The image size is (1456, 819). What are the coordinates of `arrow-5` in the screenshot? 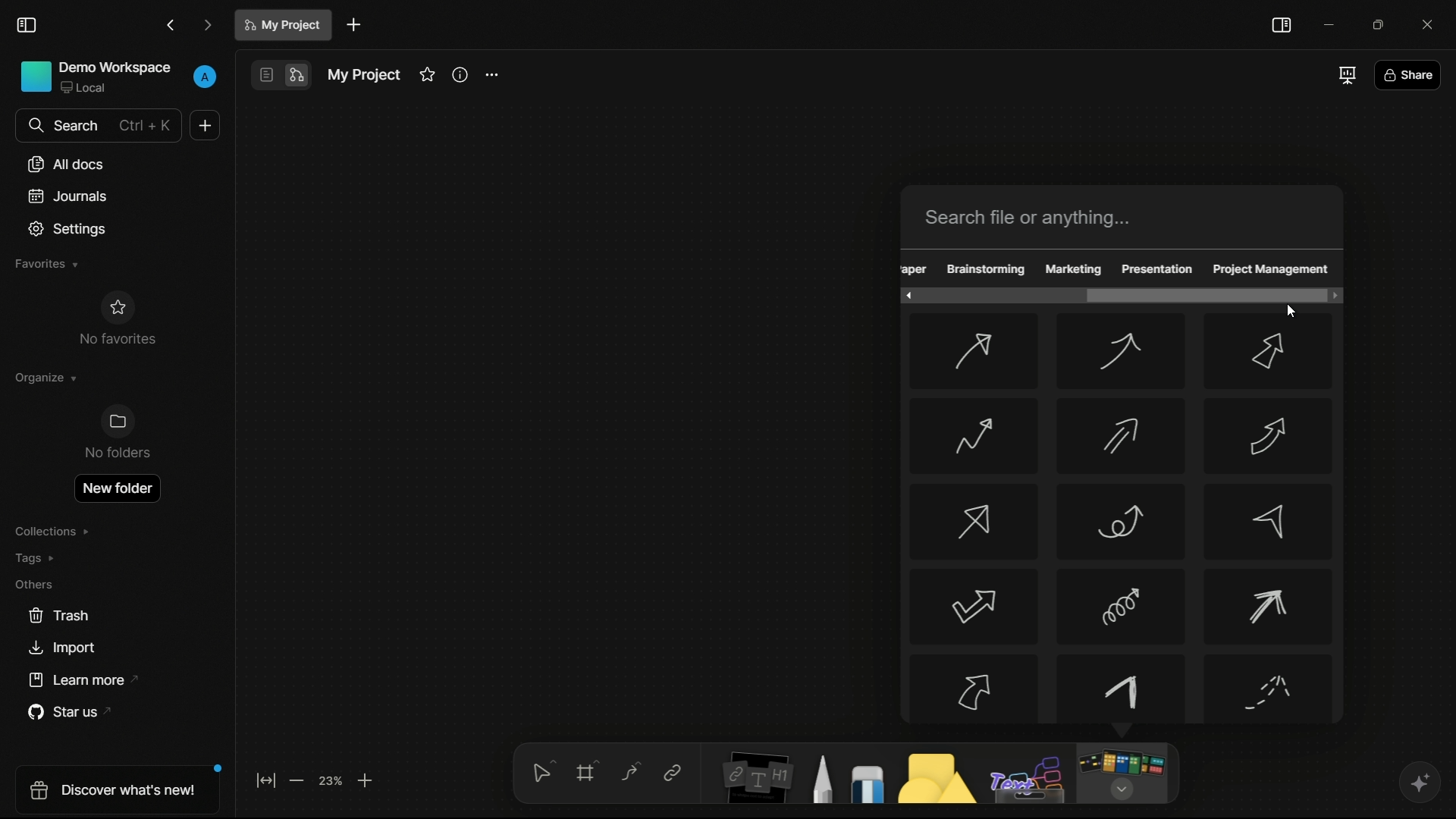 It's located at (1119, 437).